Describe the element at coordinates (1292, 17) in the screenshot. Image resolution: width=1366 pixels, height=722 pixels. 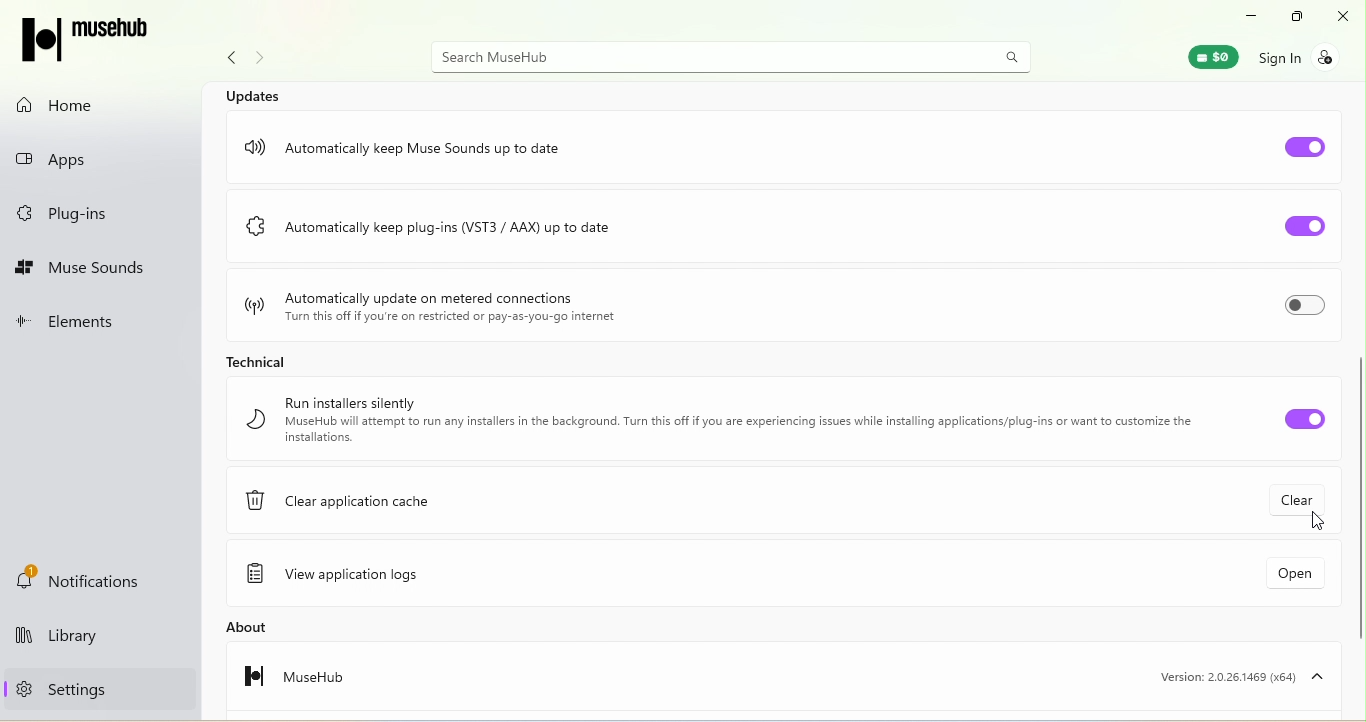
I see `Maximize` at that location.